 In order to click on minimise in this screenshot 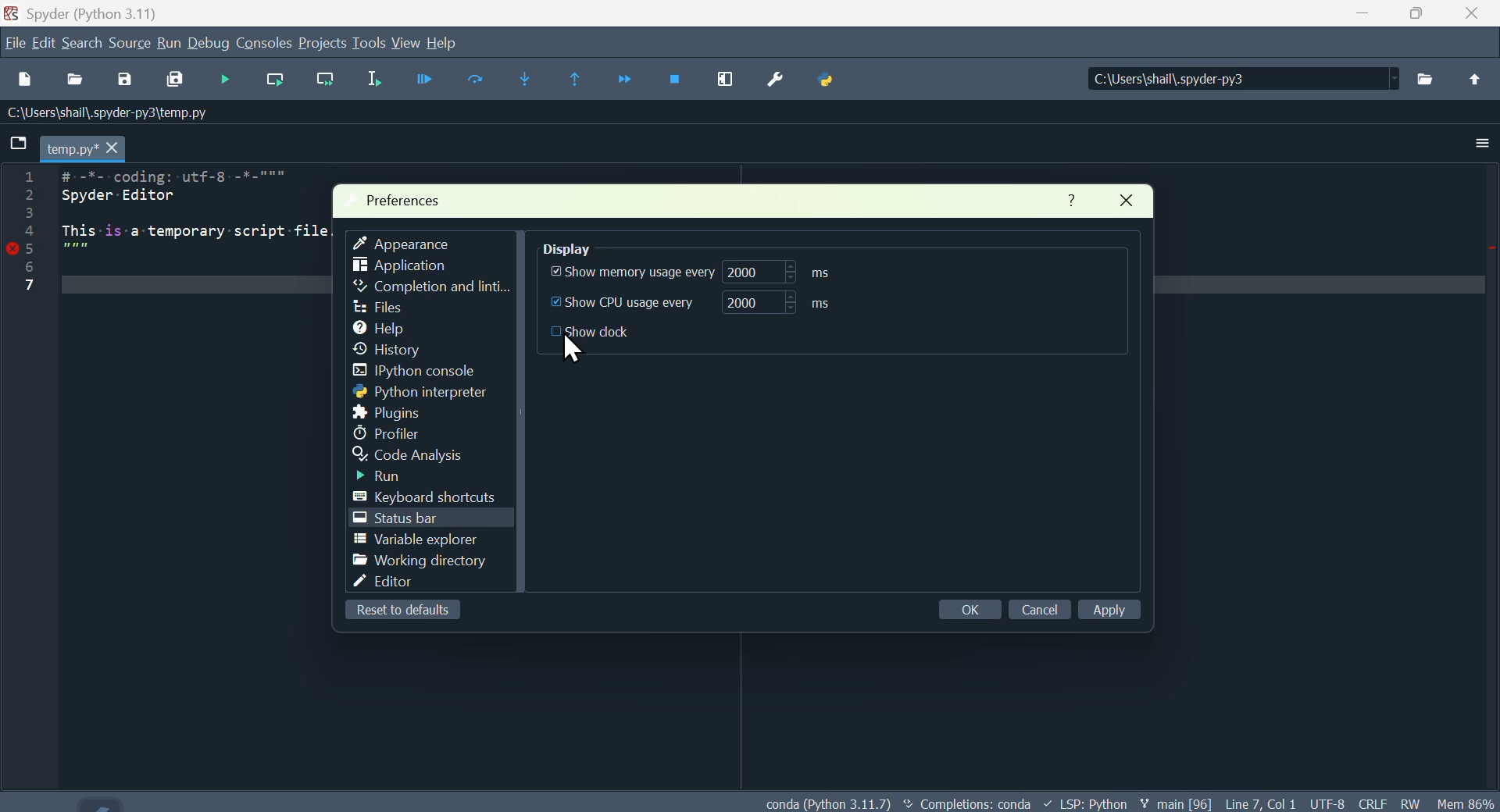, I will do `click(1371, 18)`.